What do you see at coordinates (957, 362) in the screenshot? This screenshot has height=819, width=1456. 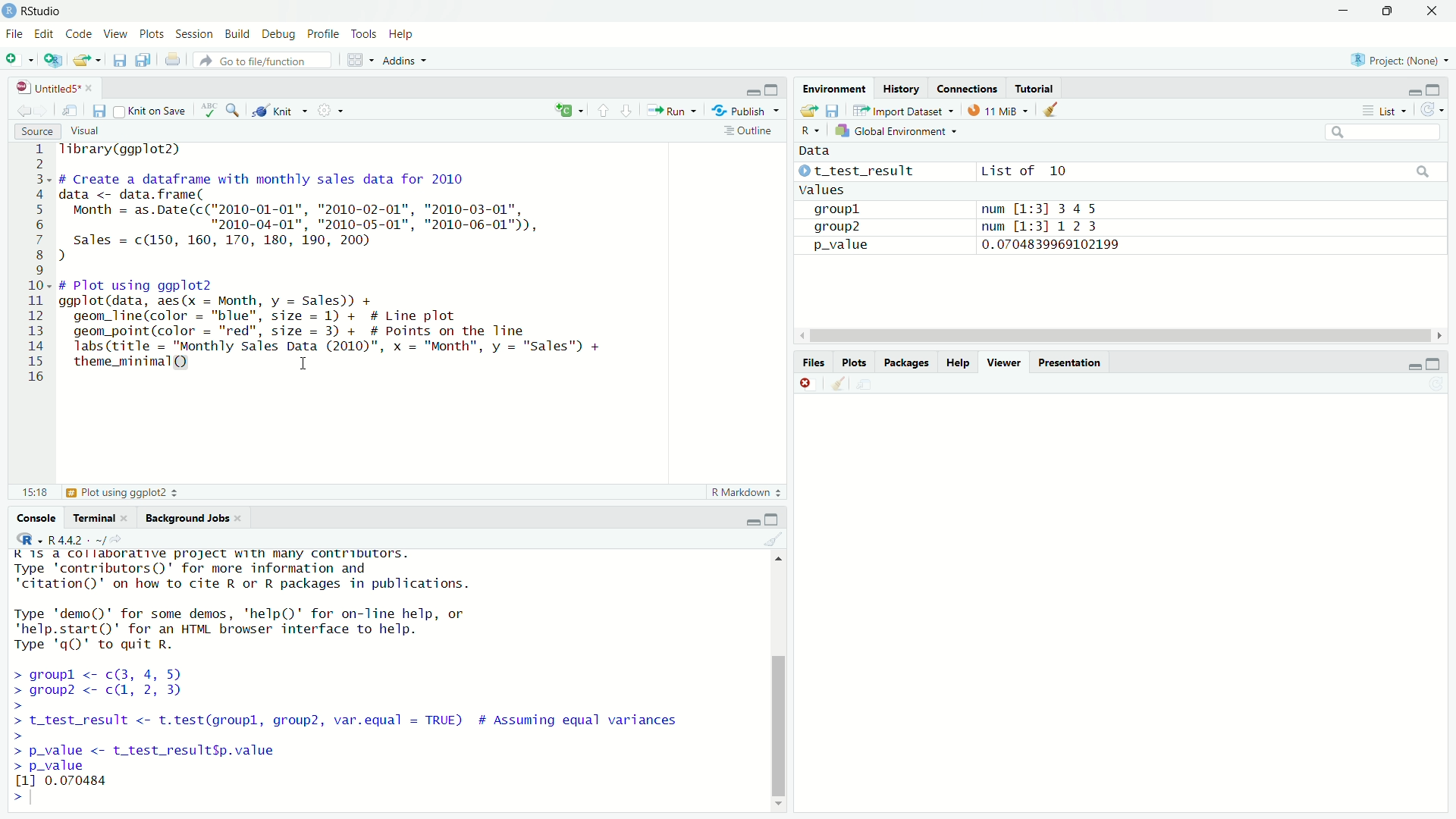 I see `Help` at bounding box center [957, 362].